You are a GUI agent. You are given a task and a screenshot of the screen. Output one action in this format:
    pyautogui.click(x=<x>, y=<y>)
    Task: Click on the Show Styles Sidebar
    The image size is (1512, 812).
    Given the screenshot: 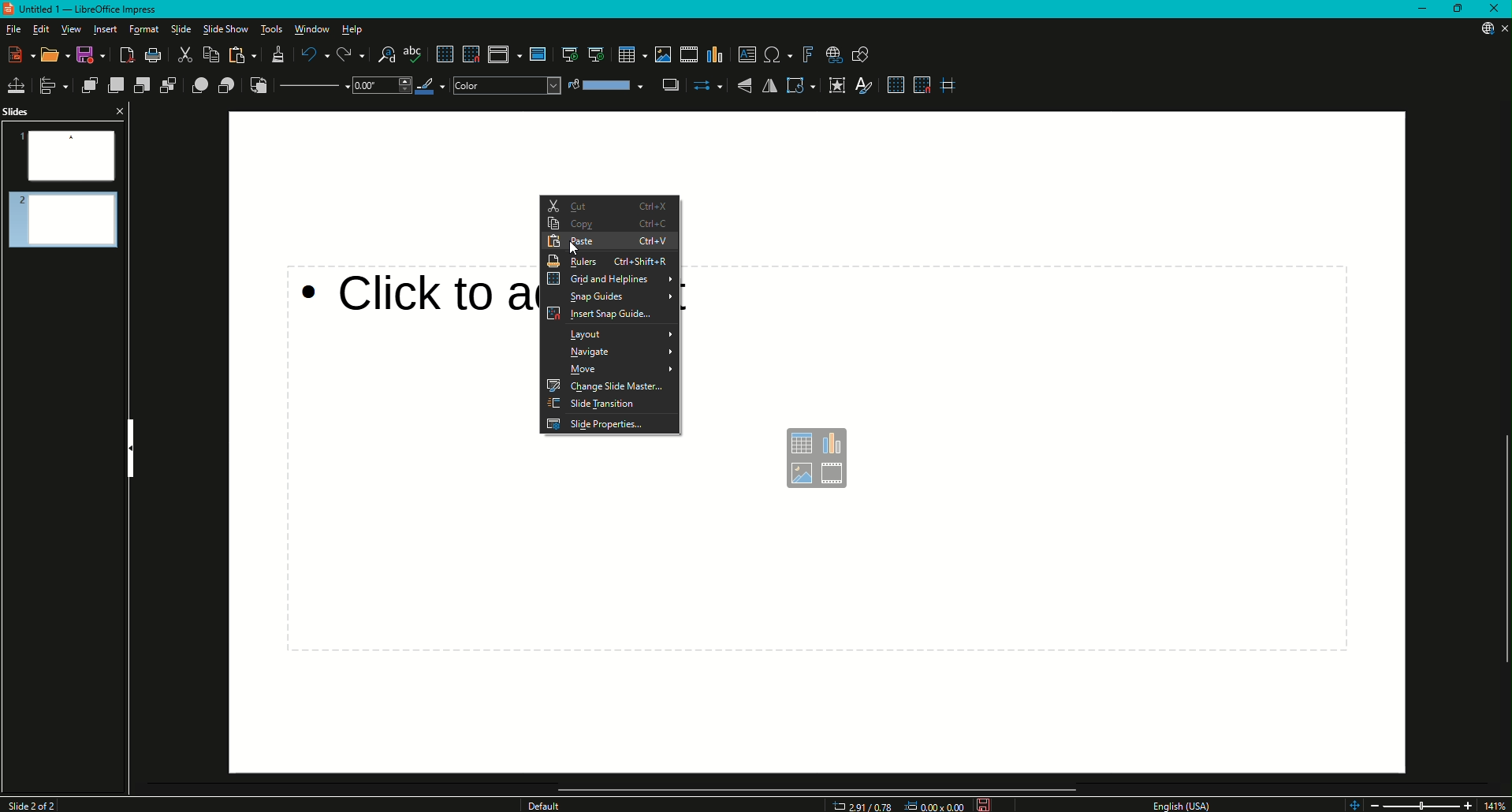 What is the action you would take?
    pyautogui.click(x=869, y=86)
    